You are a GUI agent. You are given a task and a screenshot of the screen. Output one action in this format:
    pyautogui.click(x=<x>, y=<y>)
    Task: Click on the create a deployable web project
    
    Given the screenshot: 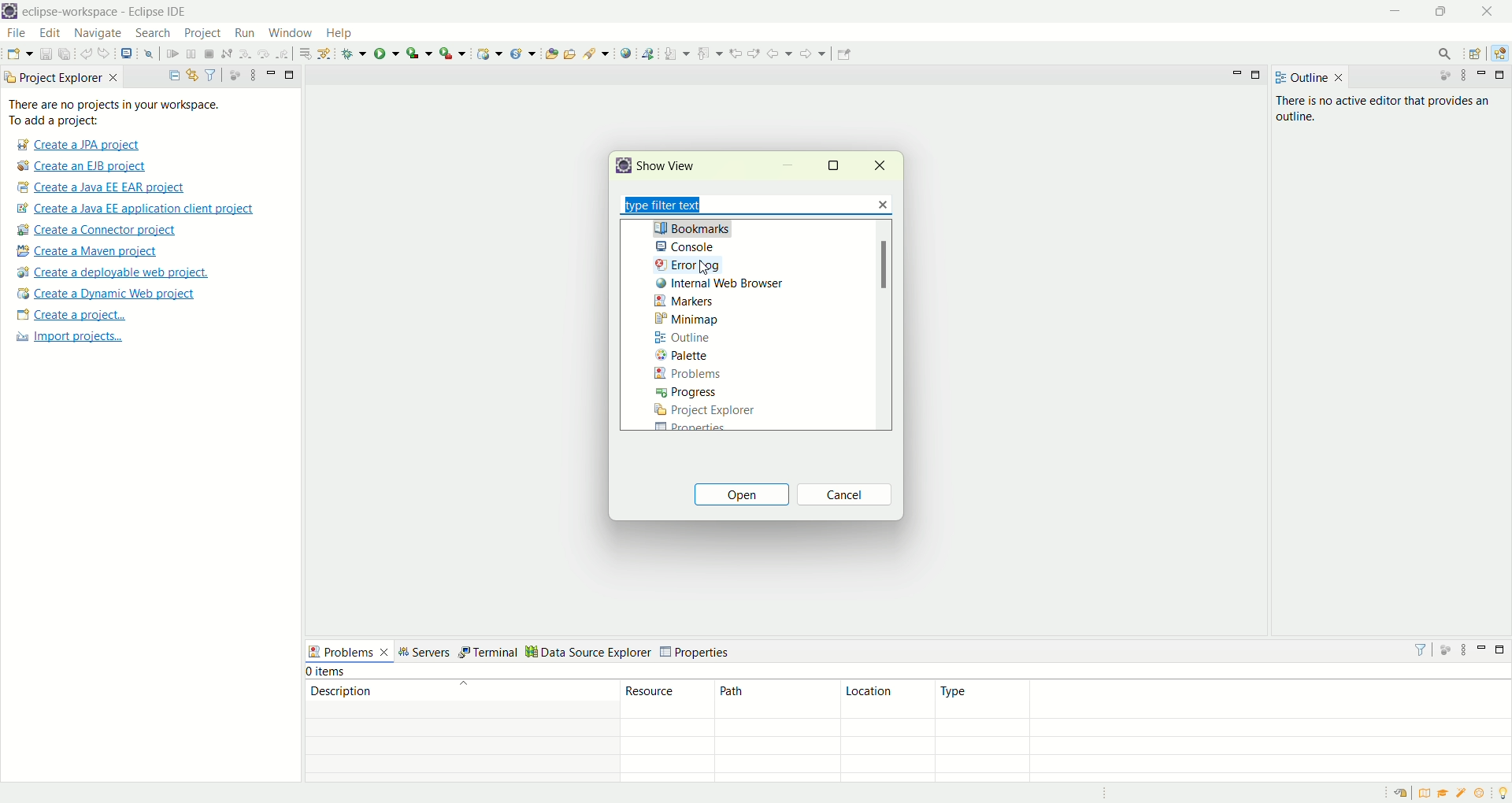 What is the action you would take?
    pyautogui.click(x=113, y=272)
    